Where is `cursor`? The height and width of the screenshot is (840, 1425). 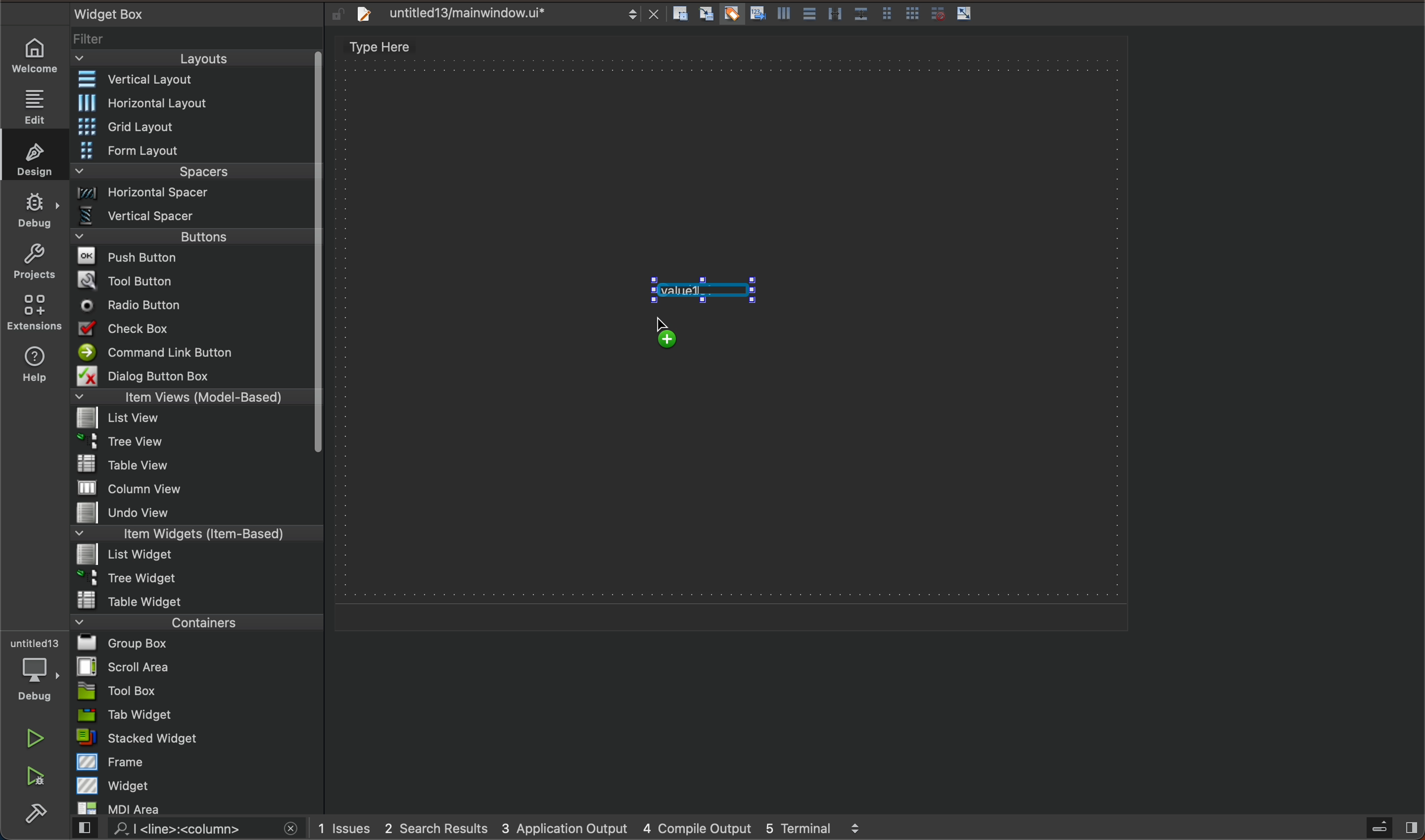
cursor is located at coordinates (672, 323).